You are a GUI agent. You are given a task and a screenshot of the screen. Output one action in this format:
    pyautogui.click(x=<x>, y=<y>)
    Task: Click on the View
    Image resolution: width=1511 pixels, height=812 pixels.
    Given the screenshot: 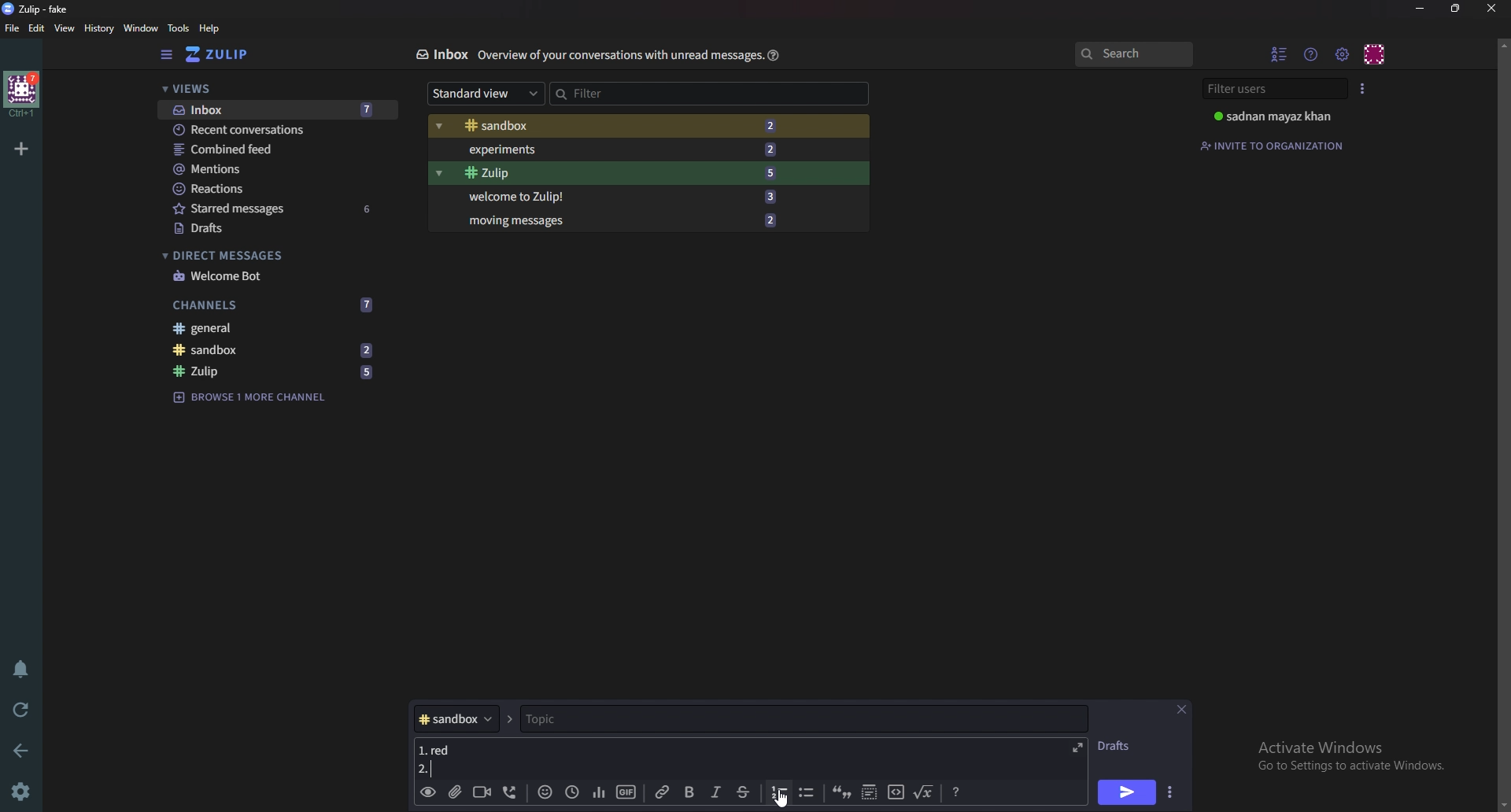 What is the action you would take?
    pyautogui.click(x=65, y=29)
    